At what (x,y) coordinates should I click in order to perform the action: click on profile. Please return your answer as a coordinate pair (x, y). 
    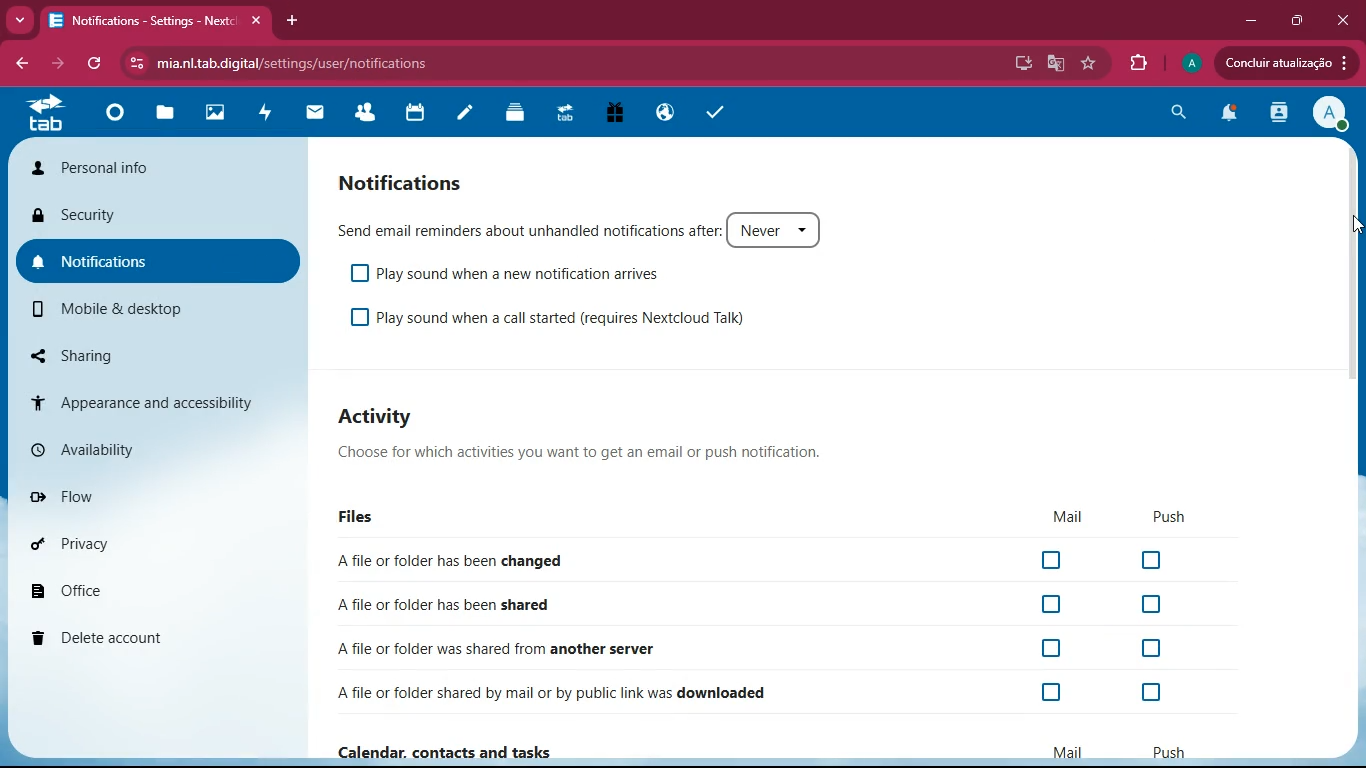
    Looking at the image, I should click on (1192, 63).